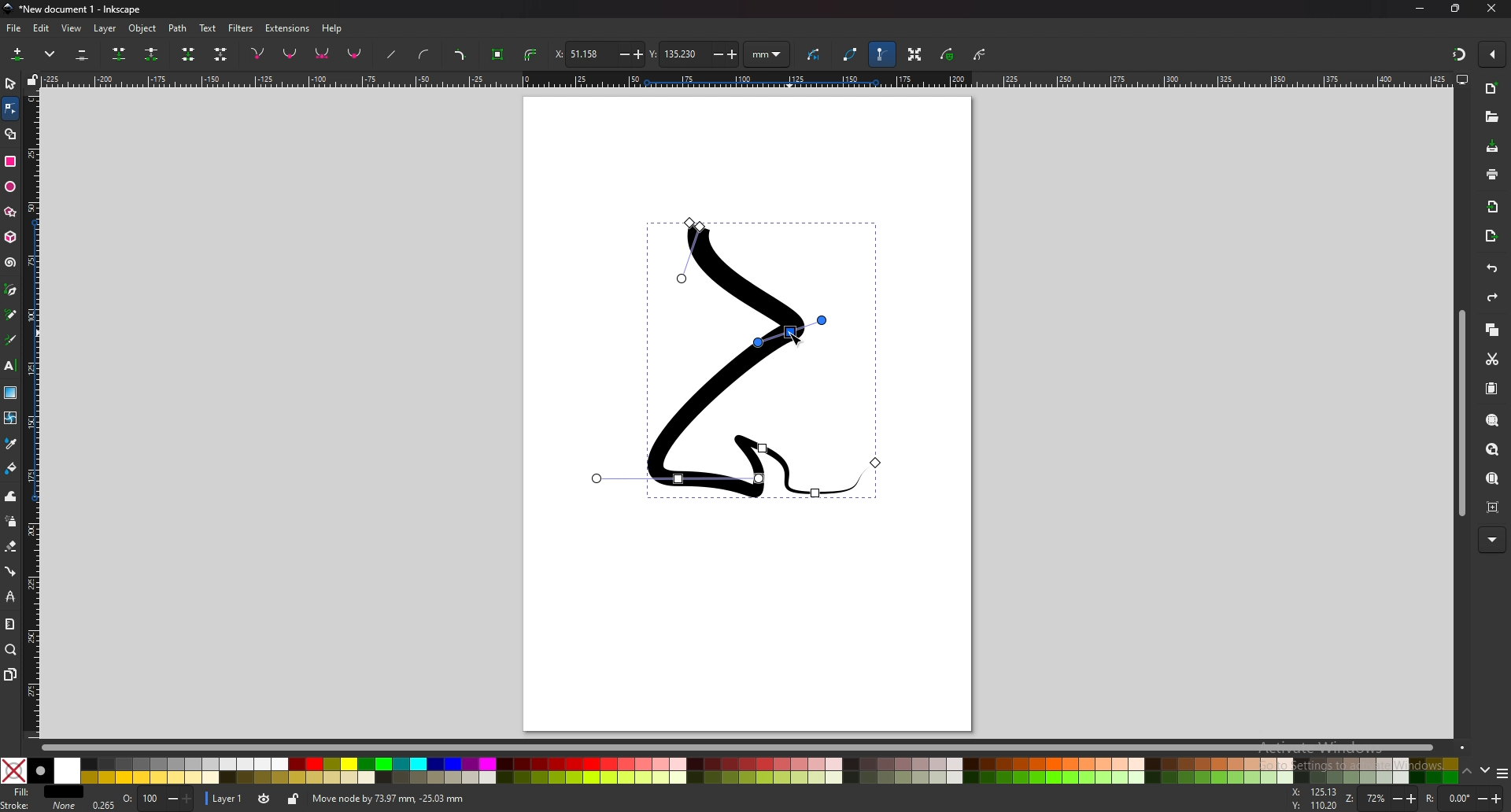  I want to click on add corners lpe, so click(460, 56).